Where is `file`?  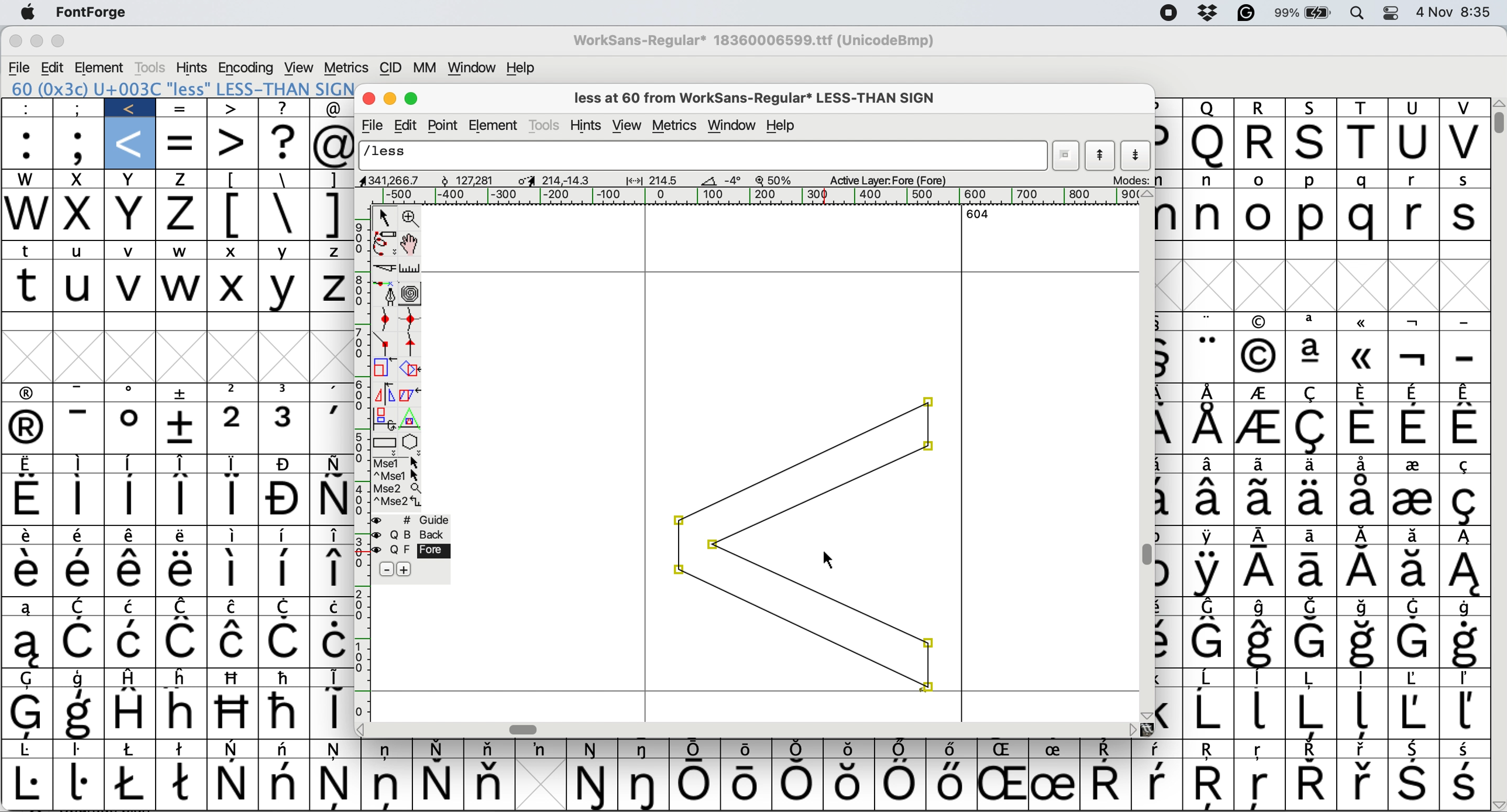
file is located at coordinates (20, 66).